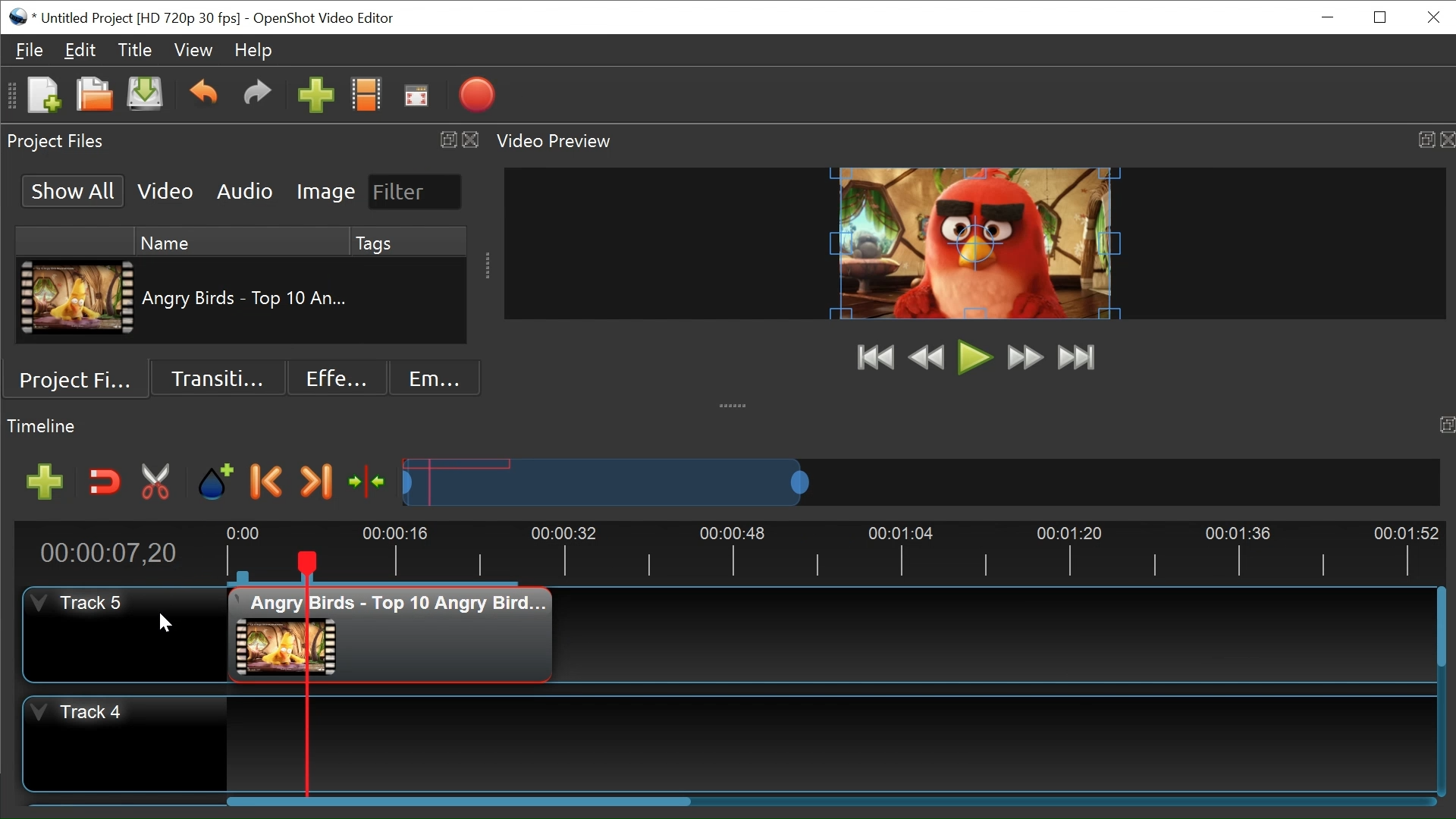 The image size is (1456, 819). Describe the element at coordinates (215, 380) in the screenshot. I see `Transition` at that location.